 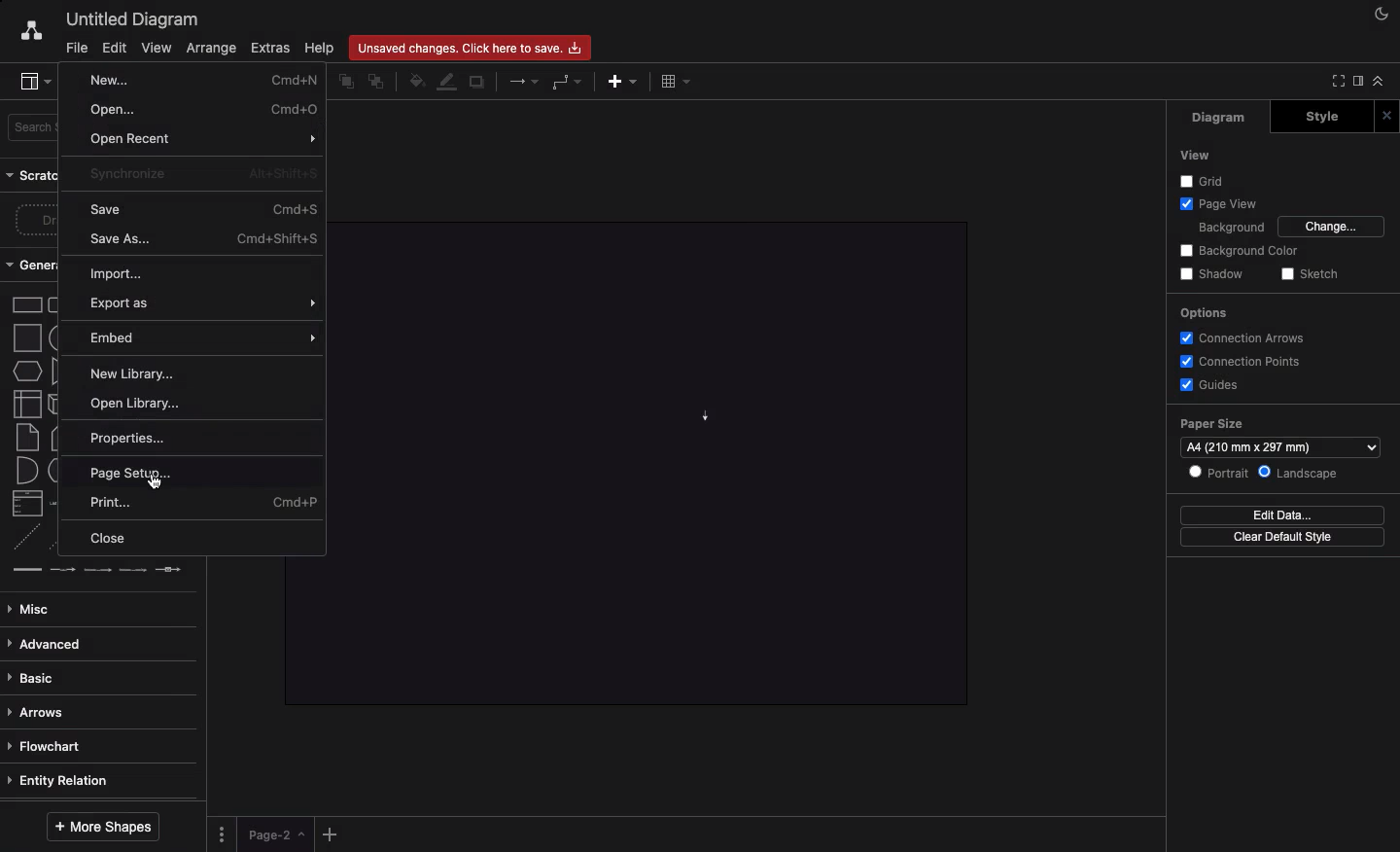 What do you see at coordinates (1211, 275) in the screenshot?
I see `Shadow` at bounding box center [1211, 275].